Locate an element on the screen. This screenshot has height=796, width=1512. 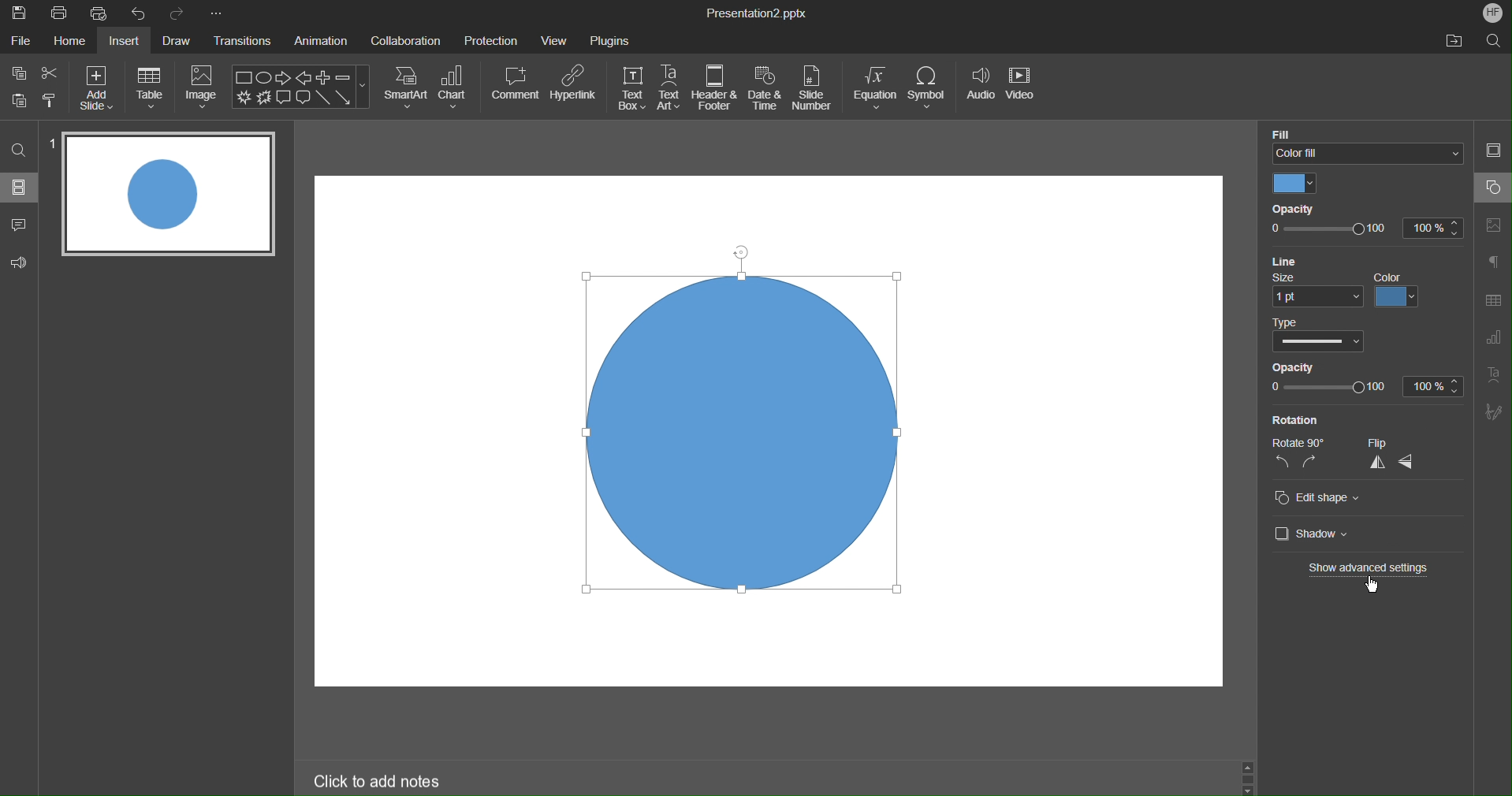
Edit shape is located at coordinates (1318, 499).